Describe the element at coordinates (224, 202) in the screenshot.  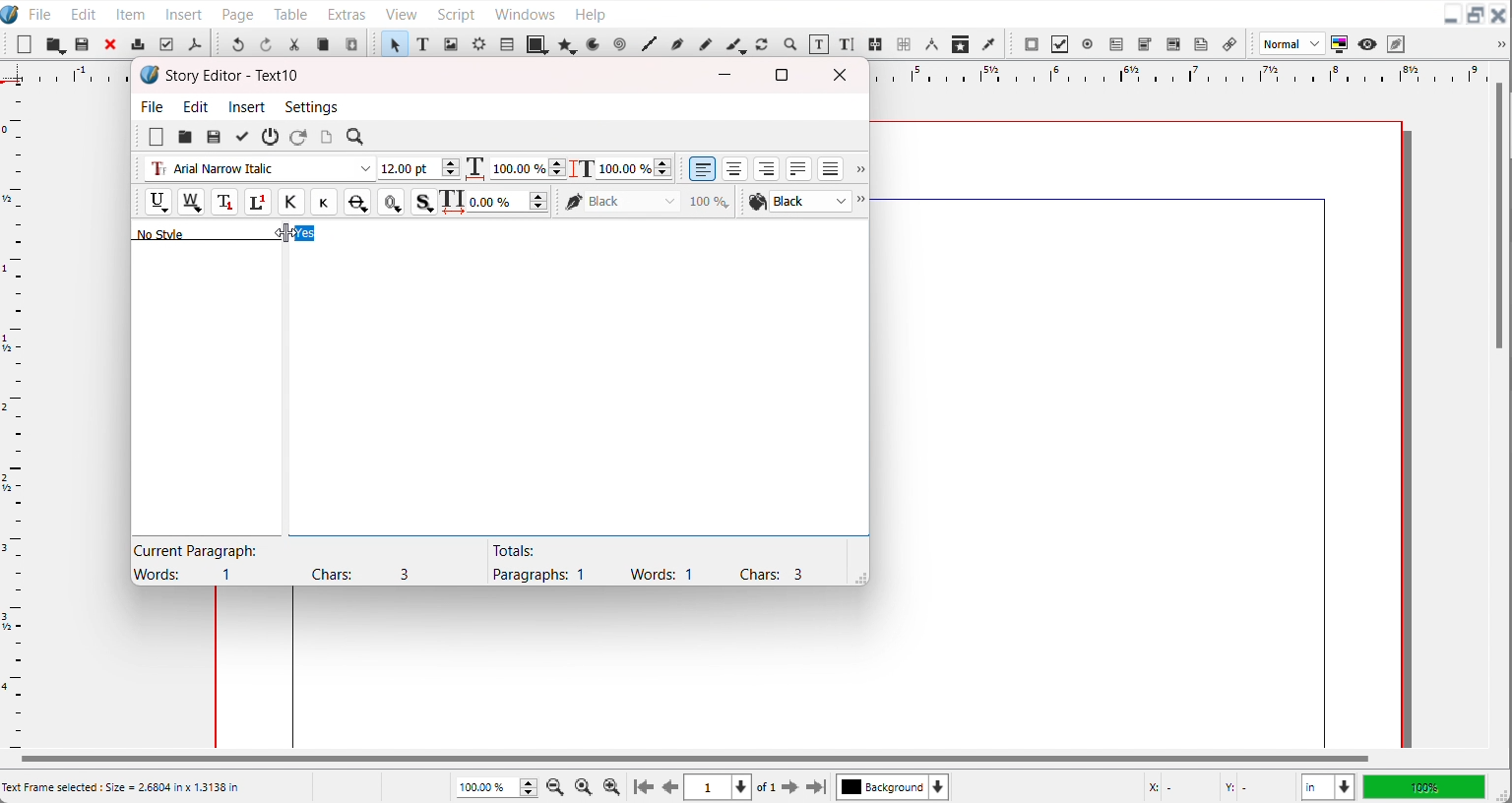
I see `Subscript` at that location.